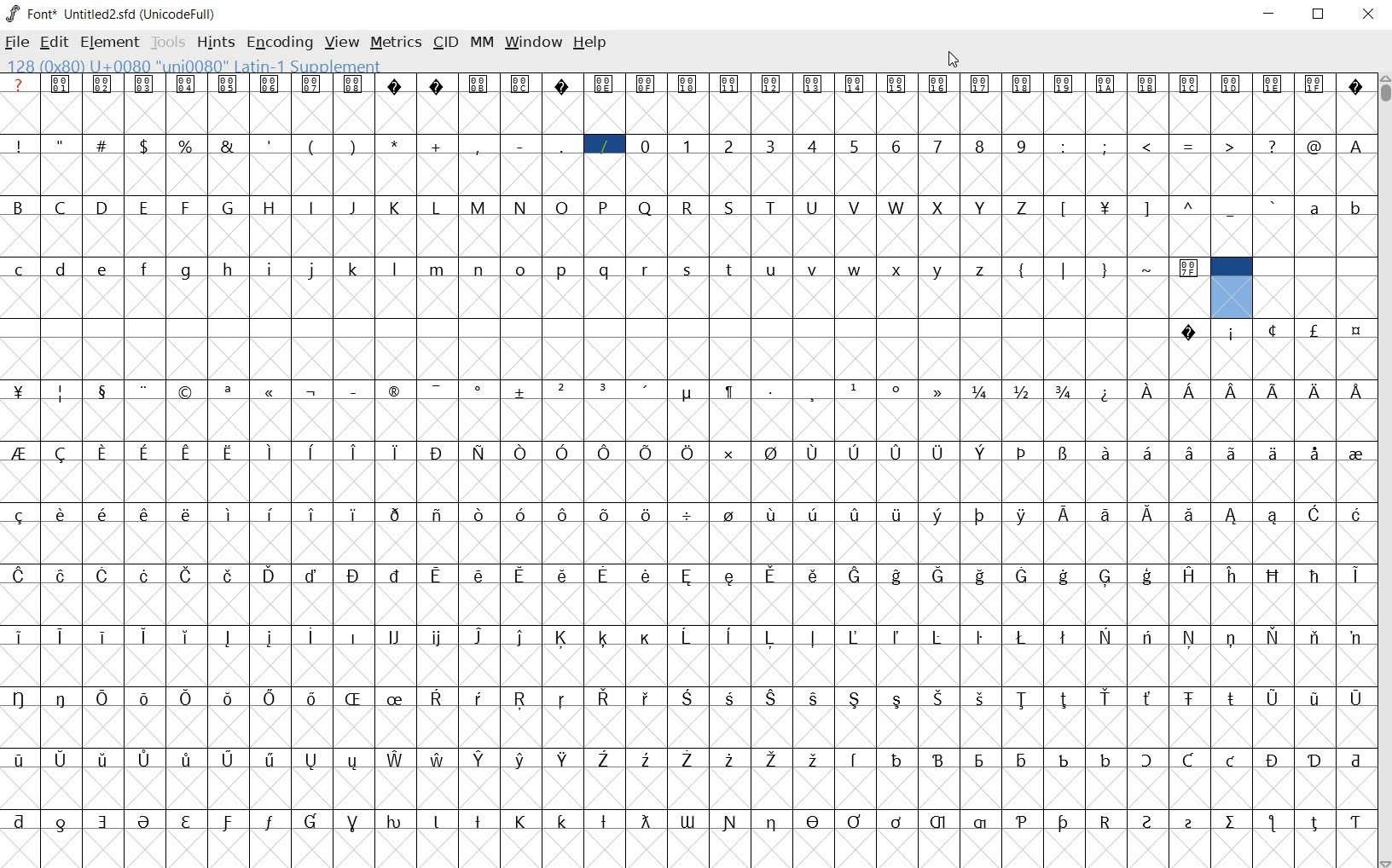 Image resolution: width=1392 pixels, height=868 pixels. I want to click on Symbol, so click(774, 514).